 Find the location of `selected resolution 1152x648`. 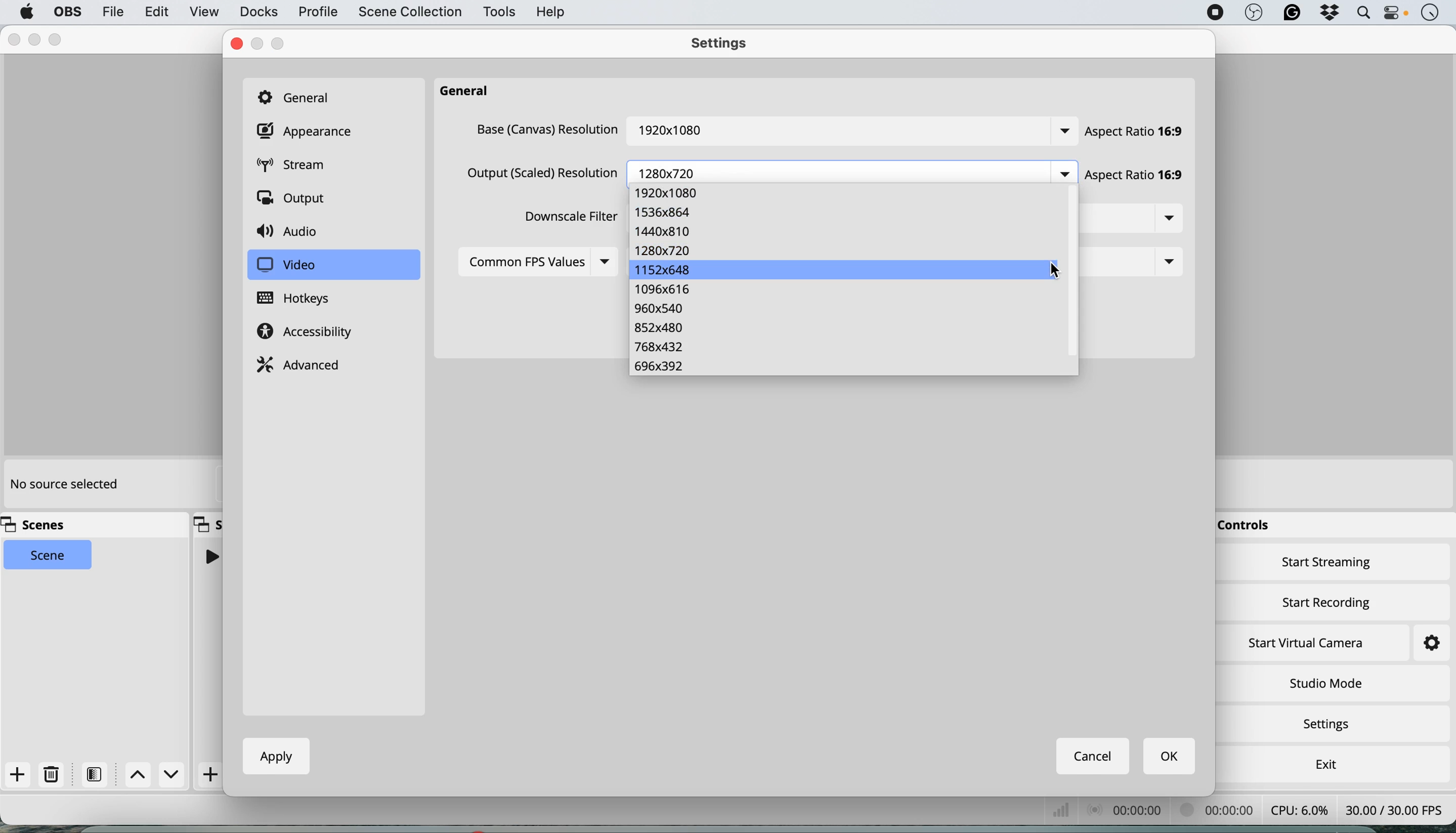

selected resolution 1152x648 is located at coordinates (836, 270).